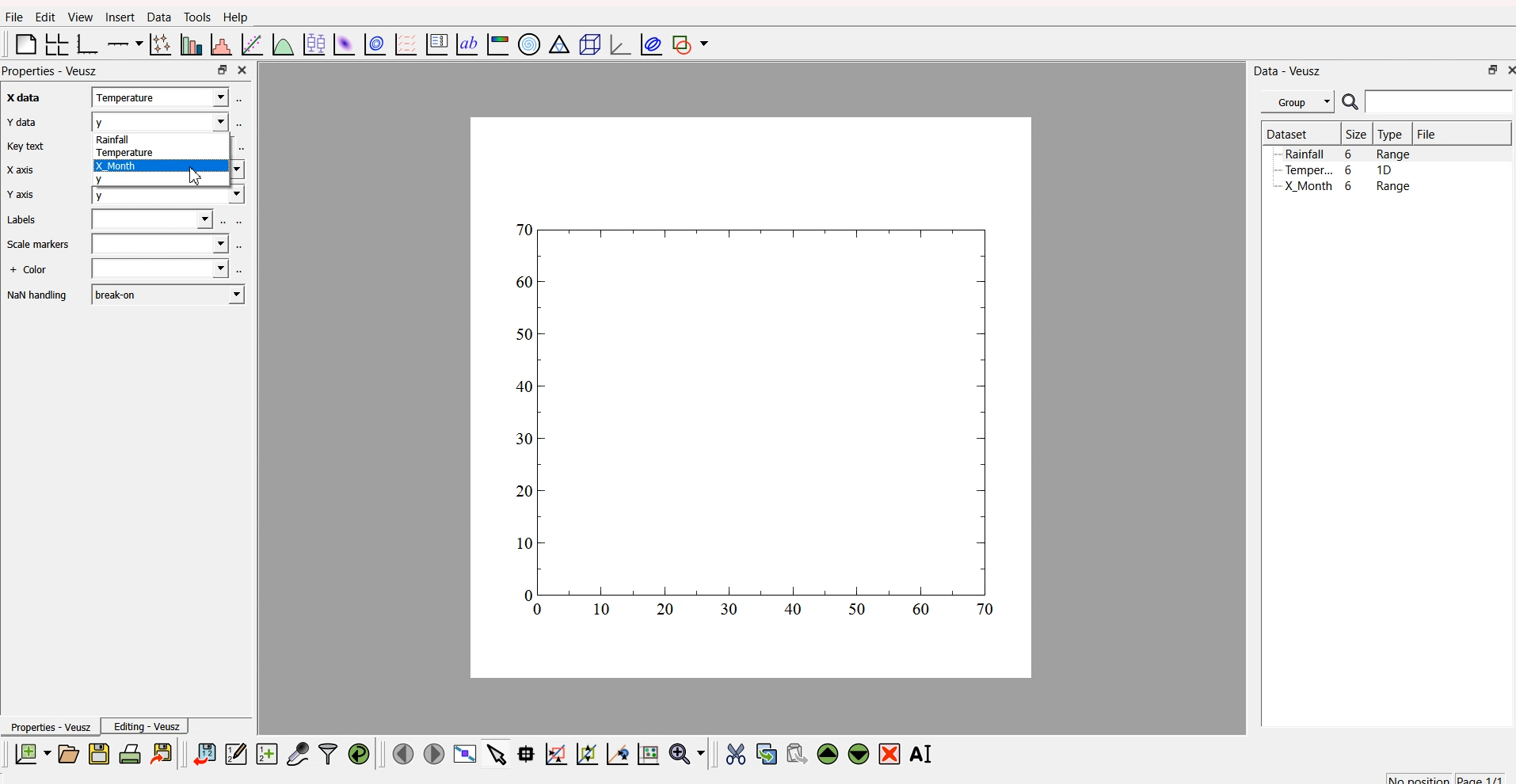 The image size is (1516, 784). Describe the element at coordinates (162, 97) in the screenshot. I see `x` at that location.